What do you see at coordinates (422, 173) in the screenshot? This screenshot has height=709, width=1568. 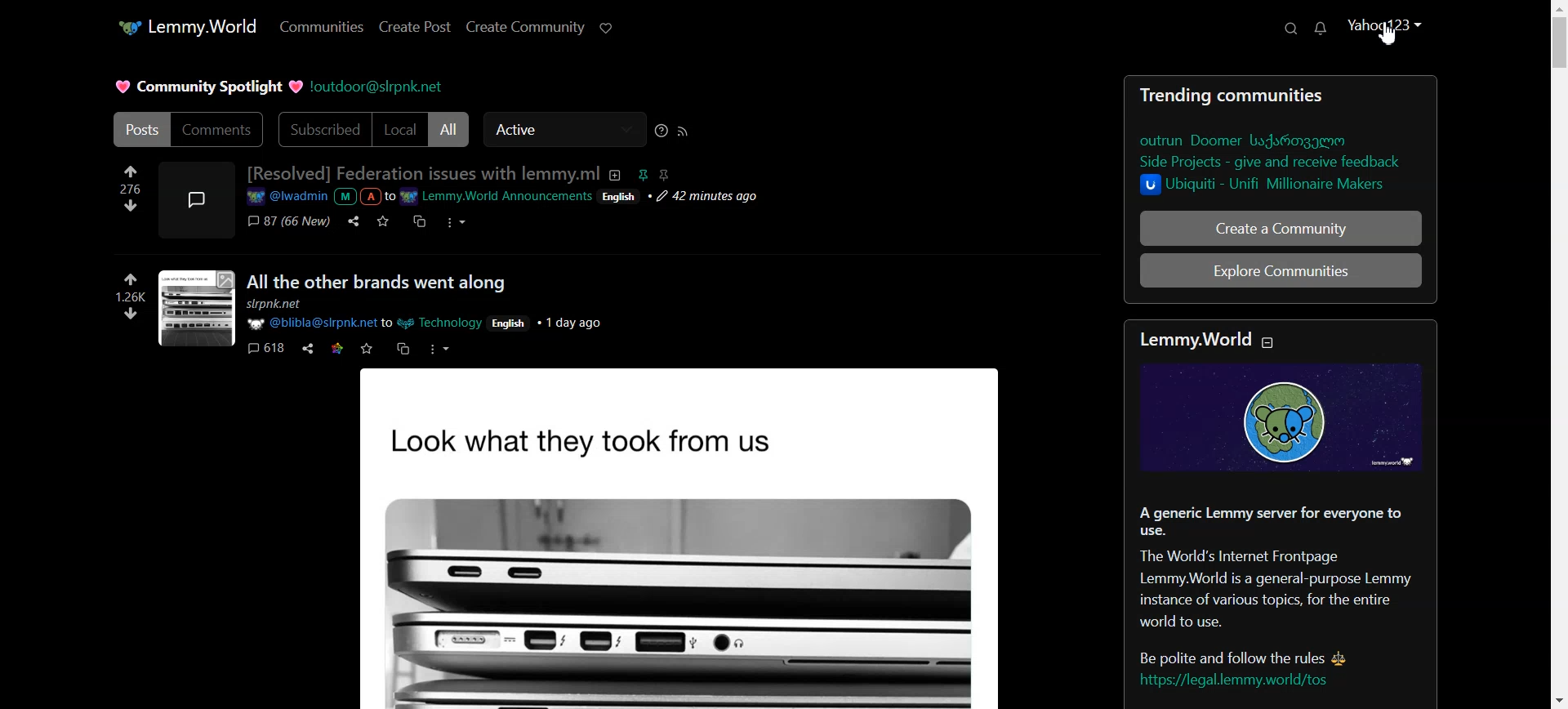 I see `[Resolved] Federation issues with lemmy.ml` at bounding box center [422, 173].